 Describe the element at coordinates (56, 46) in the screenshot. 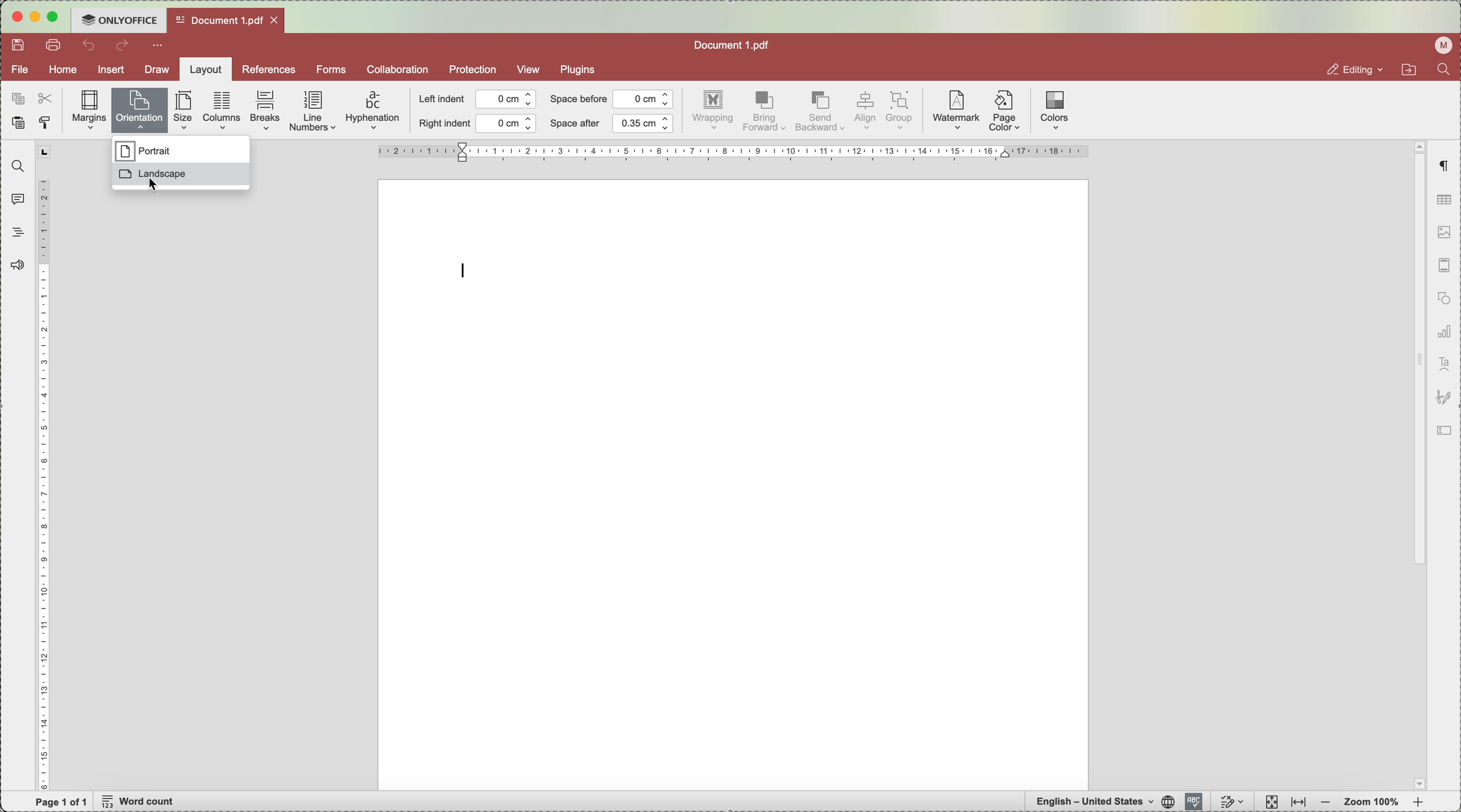

I see `print` at that location.